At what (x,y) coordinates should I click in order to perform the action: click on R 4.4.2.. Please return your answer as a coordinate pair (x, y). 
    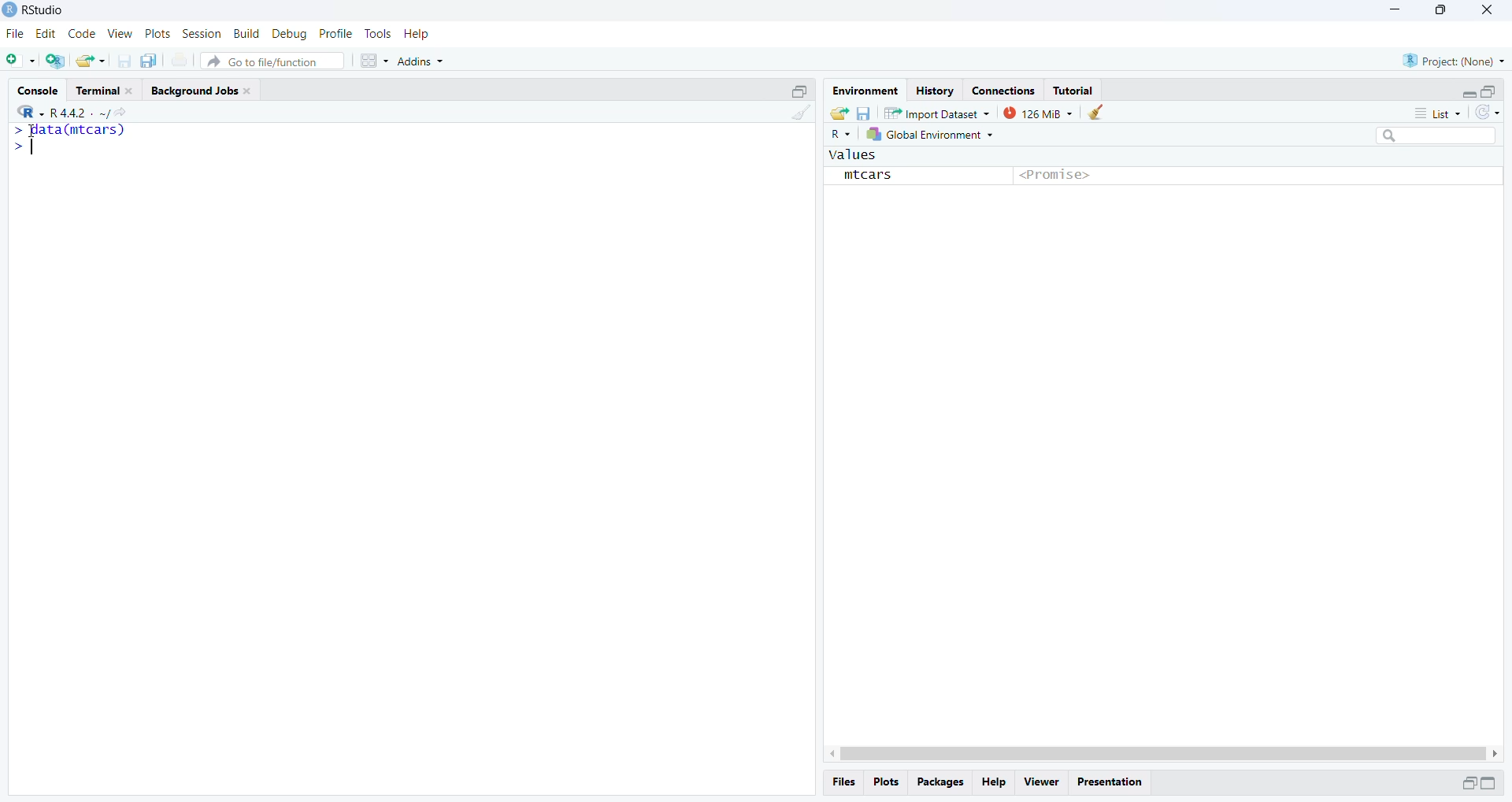
    Looking at the image, I should click on (54, 112).